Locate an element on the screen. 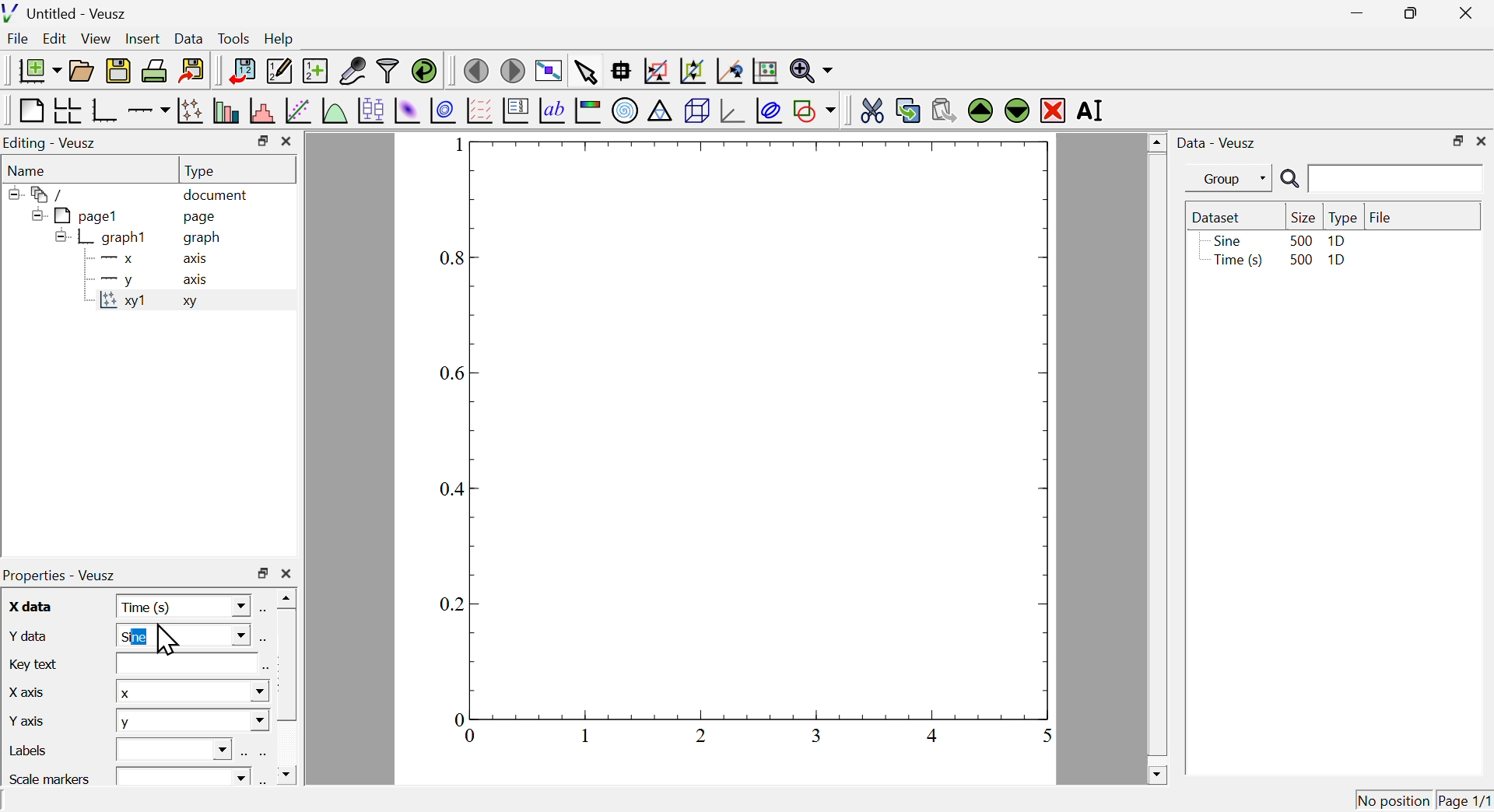 This screenshot has height=812, width=1494. y axis is located at coordinates (30, 719).